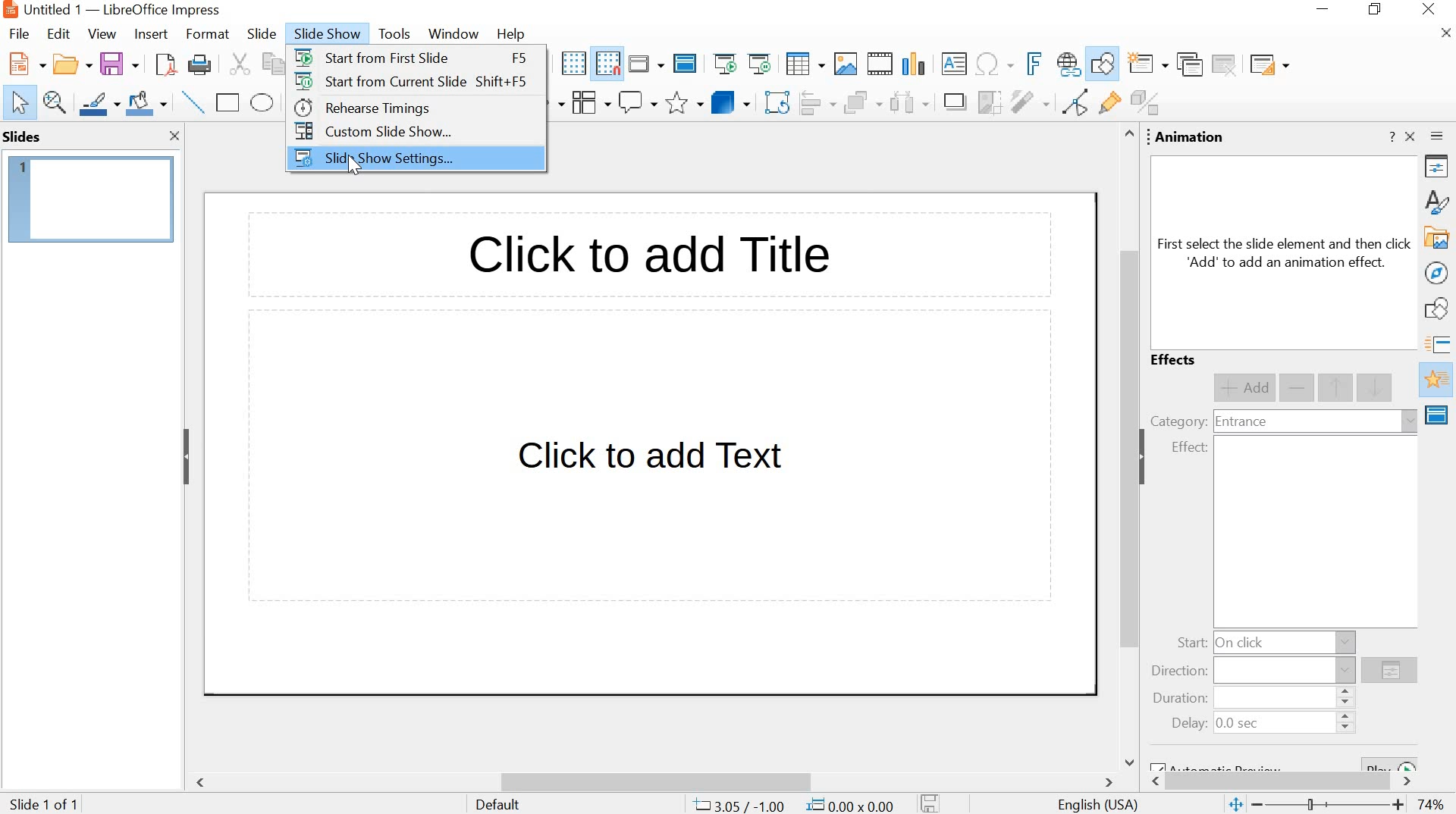 This screenshot has height=814, width=1456. Describe the element at coordinates (1149, 104) in the screenshot. I see `toggle extrusion` at that location.